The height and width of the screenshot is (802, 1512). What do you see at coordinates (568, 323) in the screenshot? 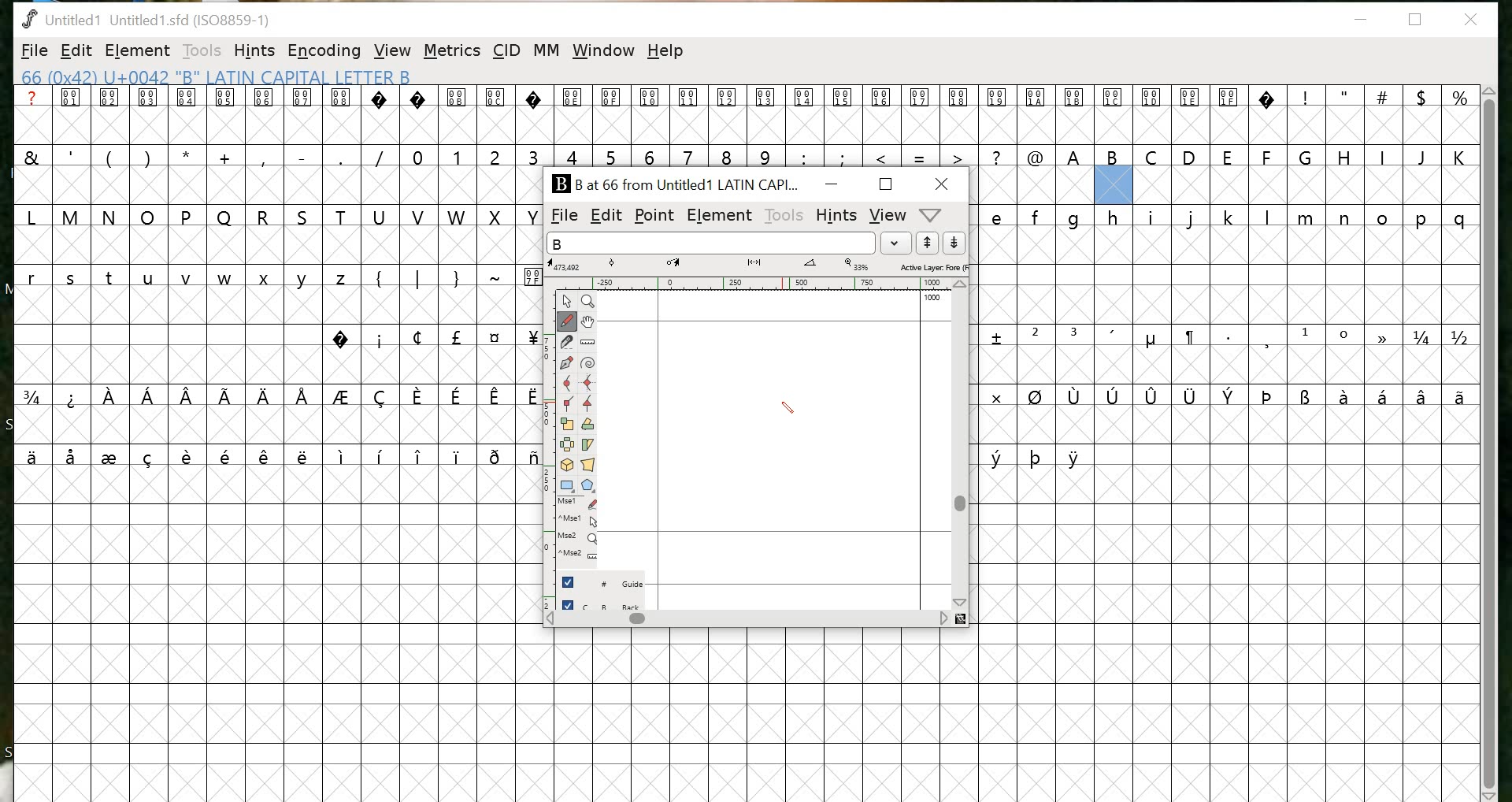
I see `Freehand` at bounding box center [568, 323].